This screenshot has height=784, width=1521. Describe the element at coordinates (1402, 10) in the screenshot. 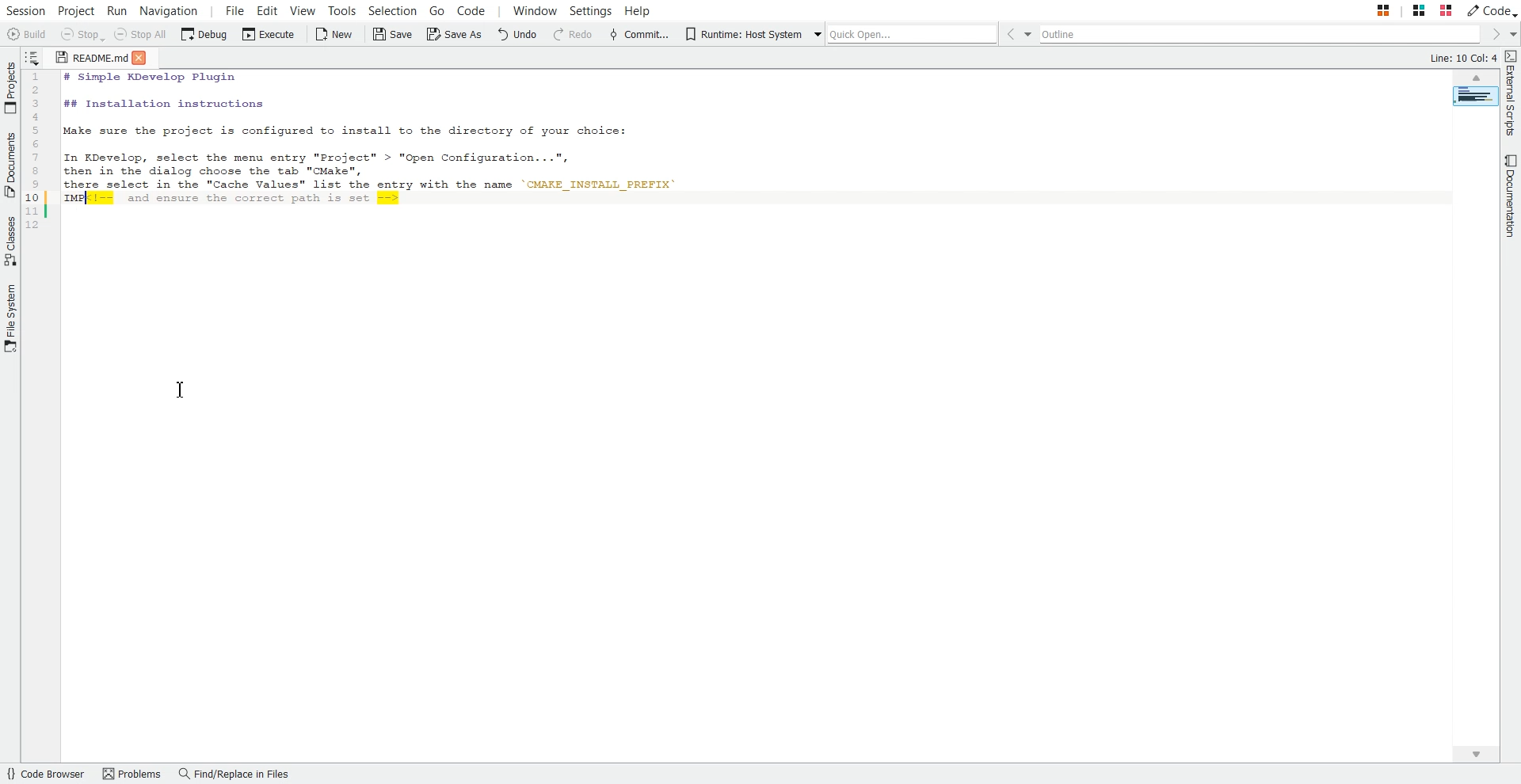

I see `Stack` at that location.